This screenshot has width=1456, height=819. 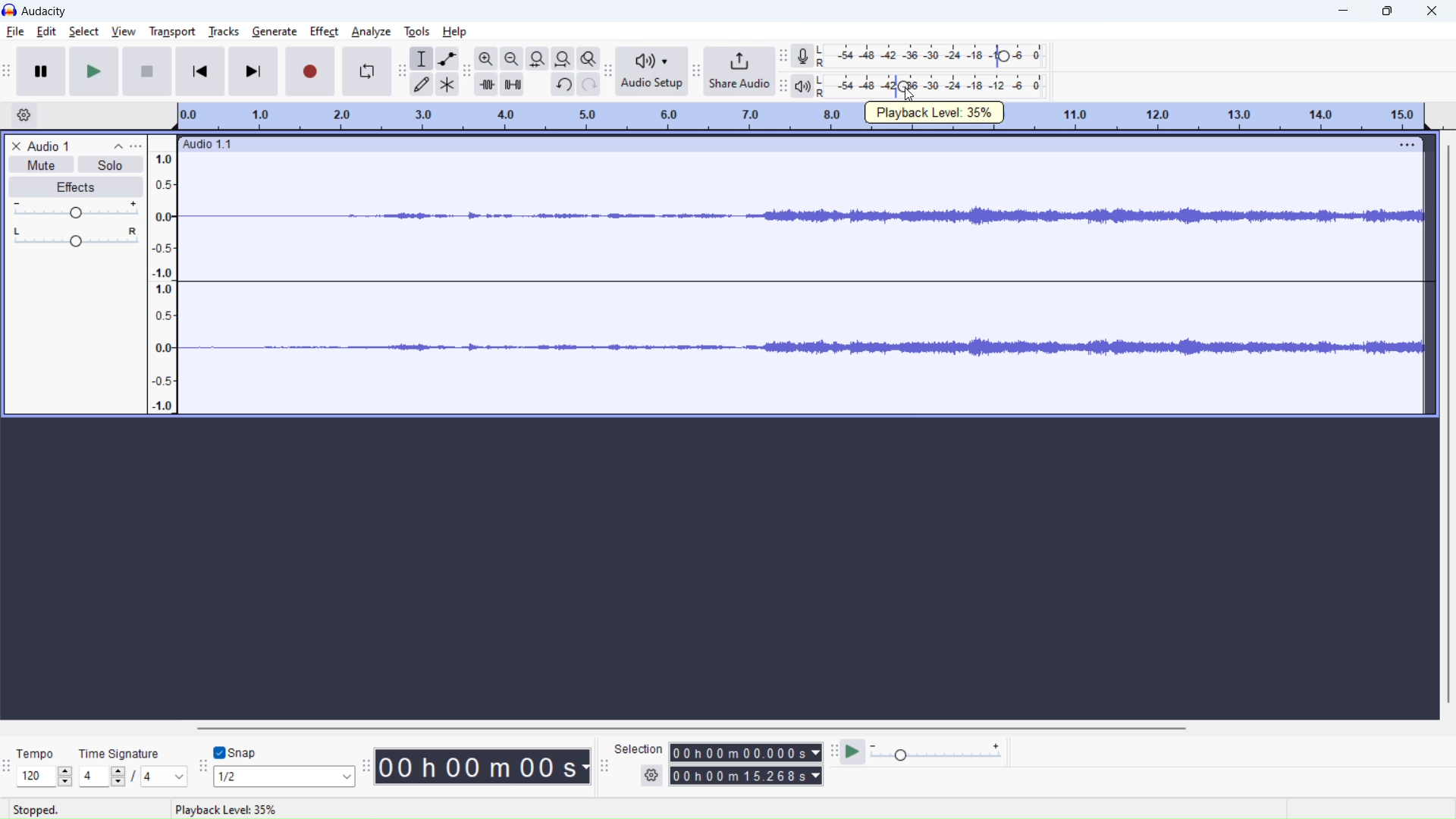 What do you see at coordinates (604, 767) in the screenshot?
I see `selection toolbar` at bounding box center [604, 767].